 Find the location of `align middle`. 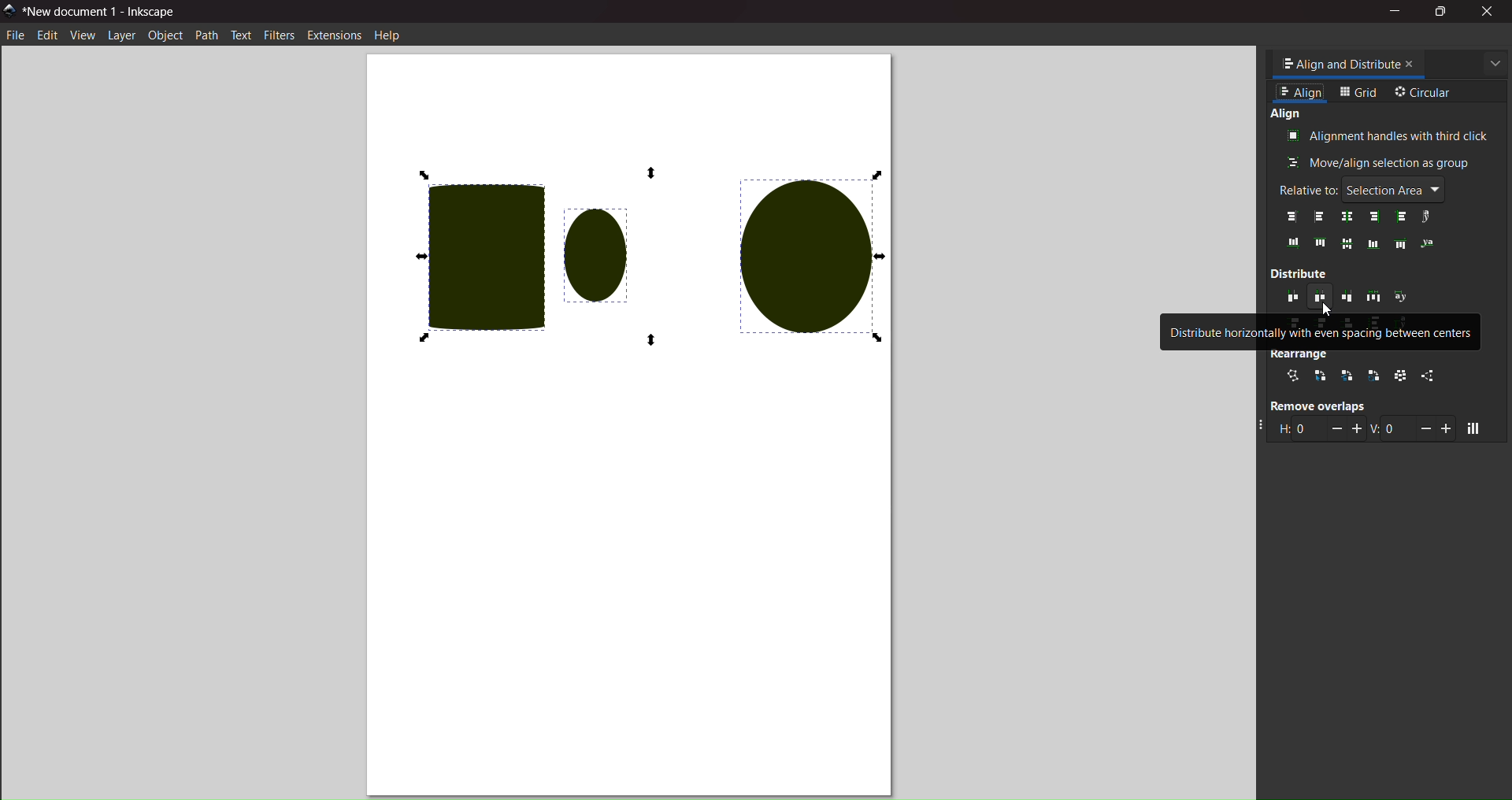

align middle is located at coordinates (1347, 244).